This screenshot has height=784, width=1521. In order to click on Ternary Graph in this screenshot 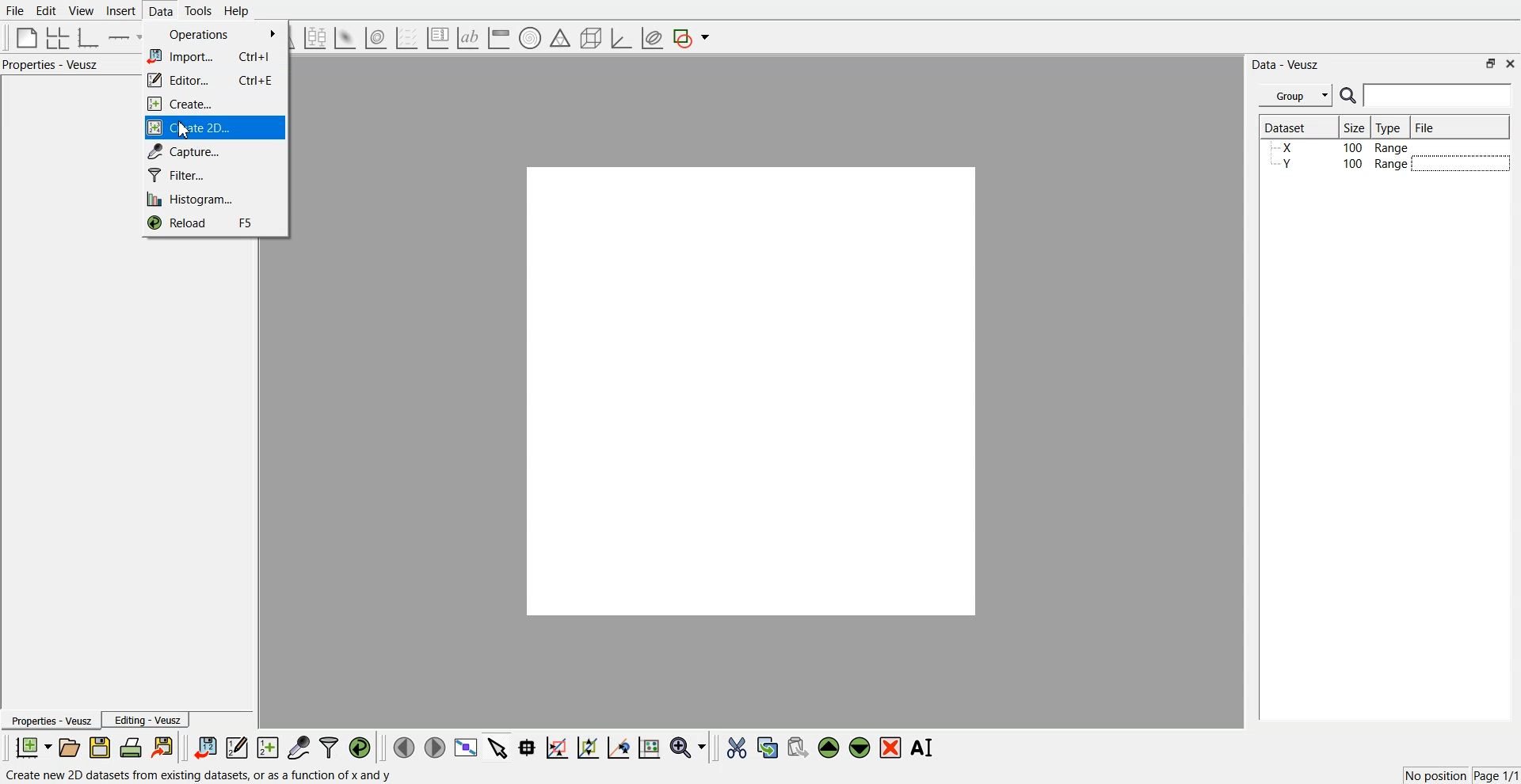, I will do `click(560, 37)`.